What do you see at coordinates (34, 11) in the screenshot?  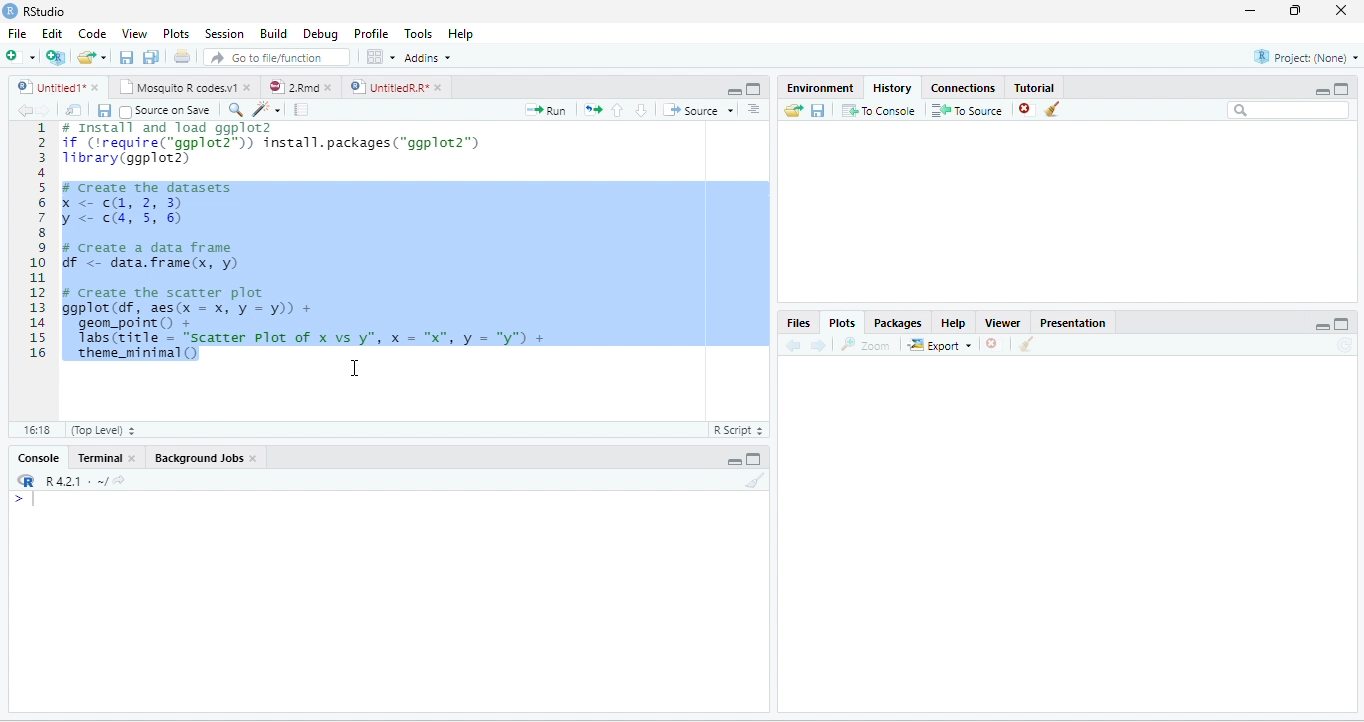 I see `RStudio` at bounding box center [34, 11].